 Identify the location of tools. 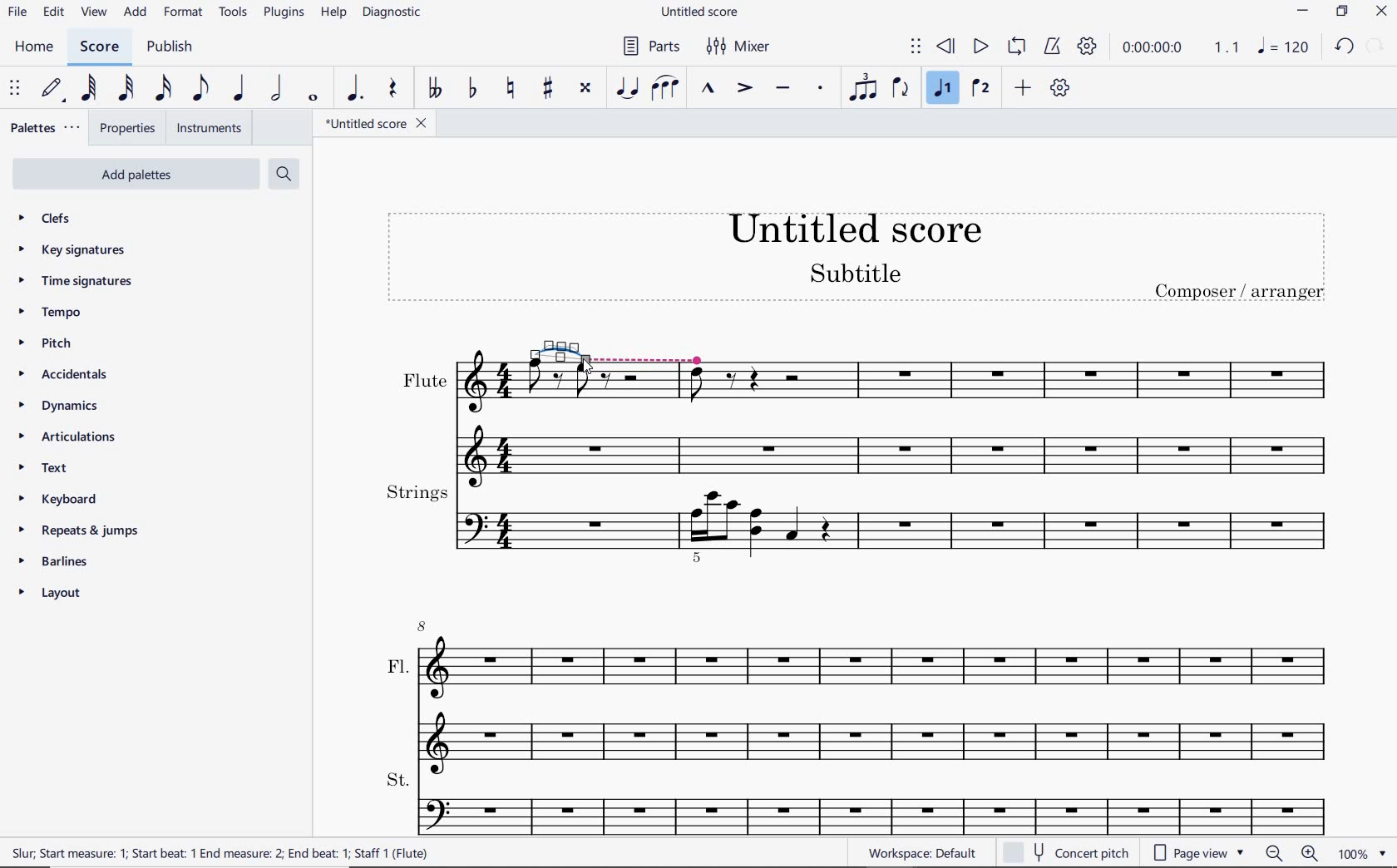
(234, 12).